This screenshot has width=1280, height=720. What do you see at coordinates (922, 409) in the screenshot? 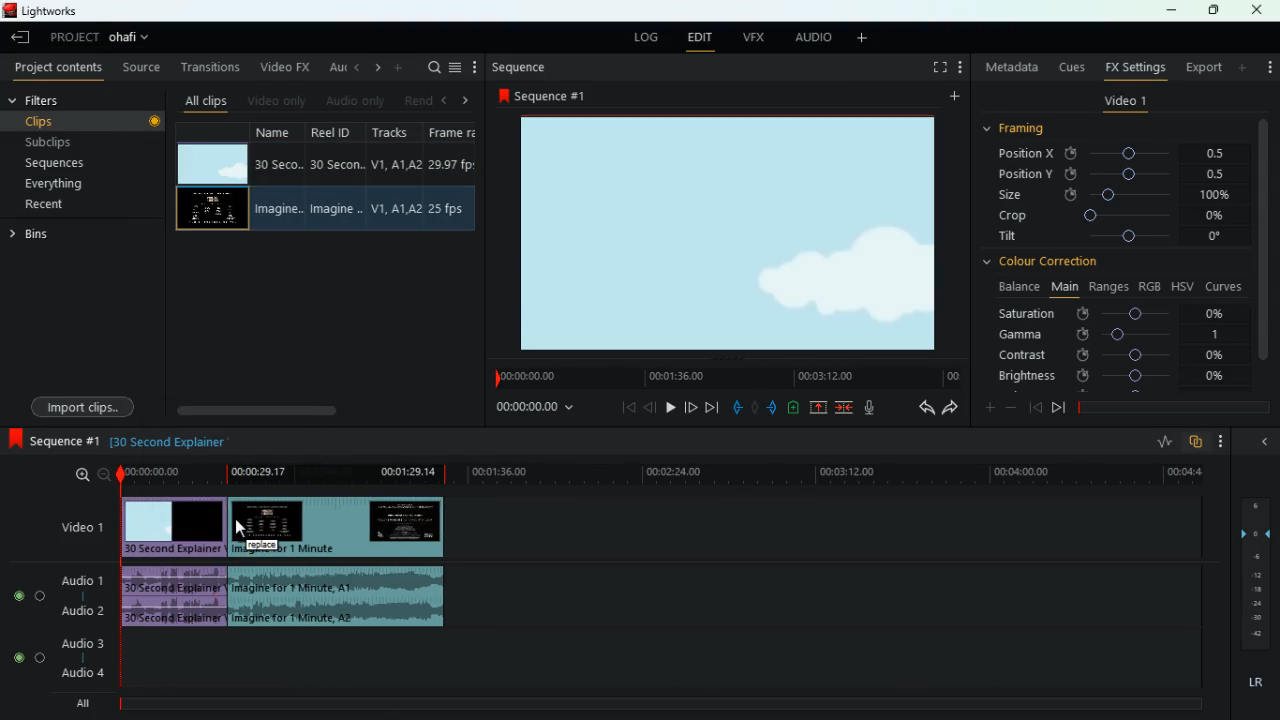
I see `back` at bounding box center [922, 409].